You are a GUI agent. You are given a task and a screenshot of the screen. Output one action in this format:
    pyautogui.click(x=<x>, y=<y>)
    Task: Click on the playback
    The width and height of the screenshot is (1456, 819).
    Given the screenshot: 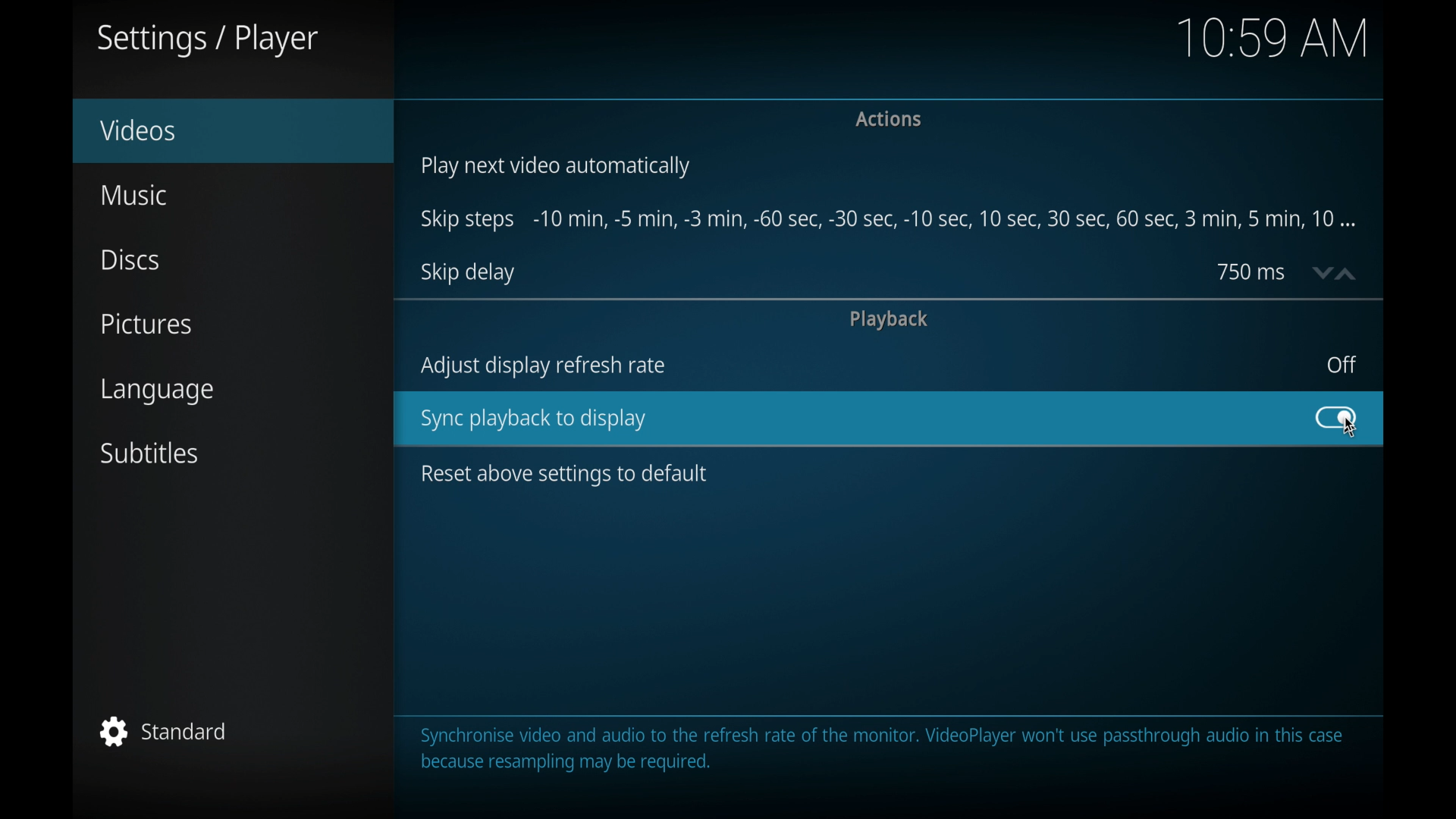 What is the action you would take?
    pyautogui.click(x=888, y=319)
    